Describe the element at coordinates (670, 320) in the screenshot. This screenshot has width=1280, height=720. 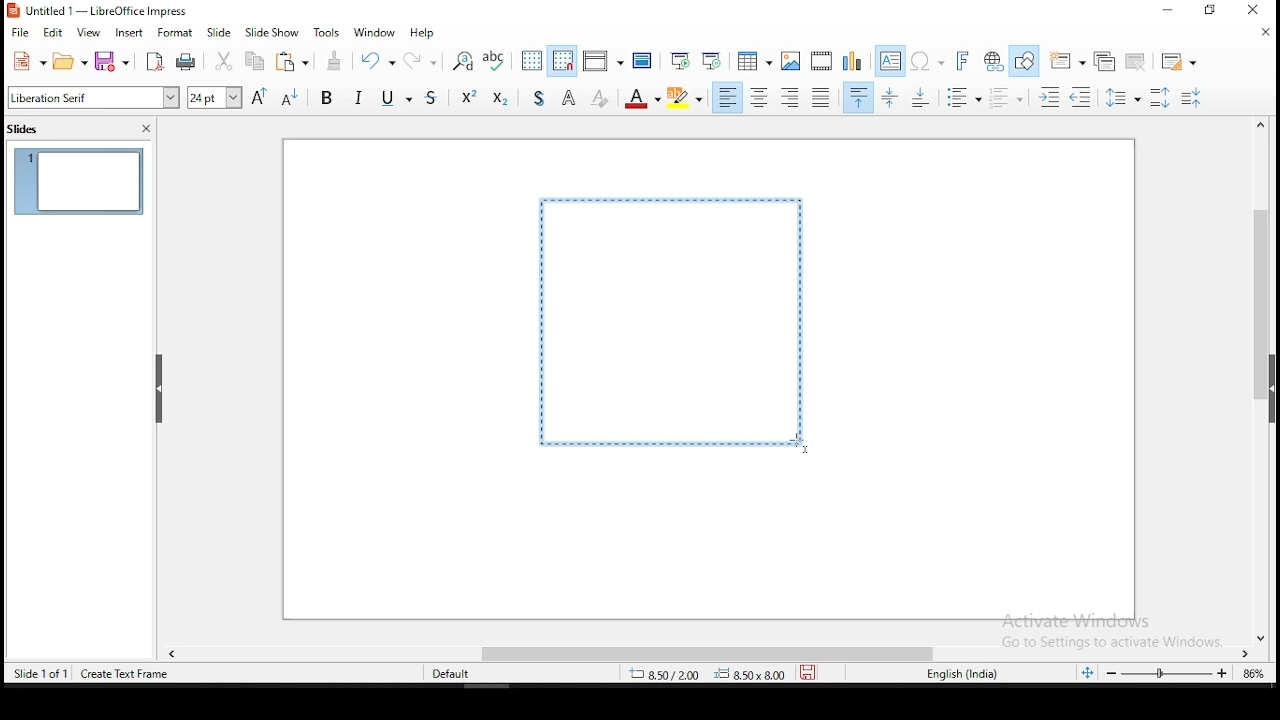
I see `active text box` at that location.